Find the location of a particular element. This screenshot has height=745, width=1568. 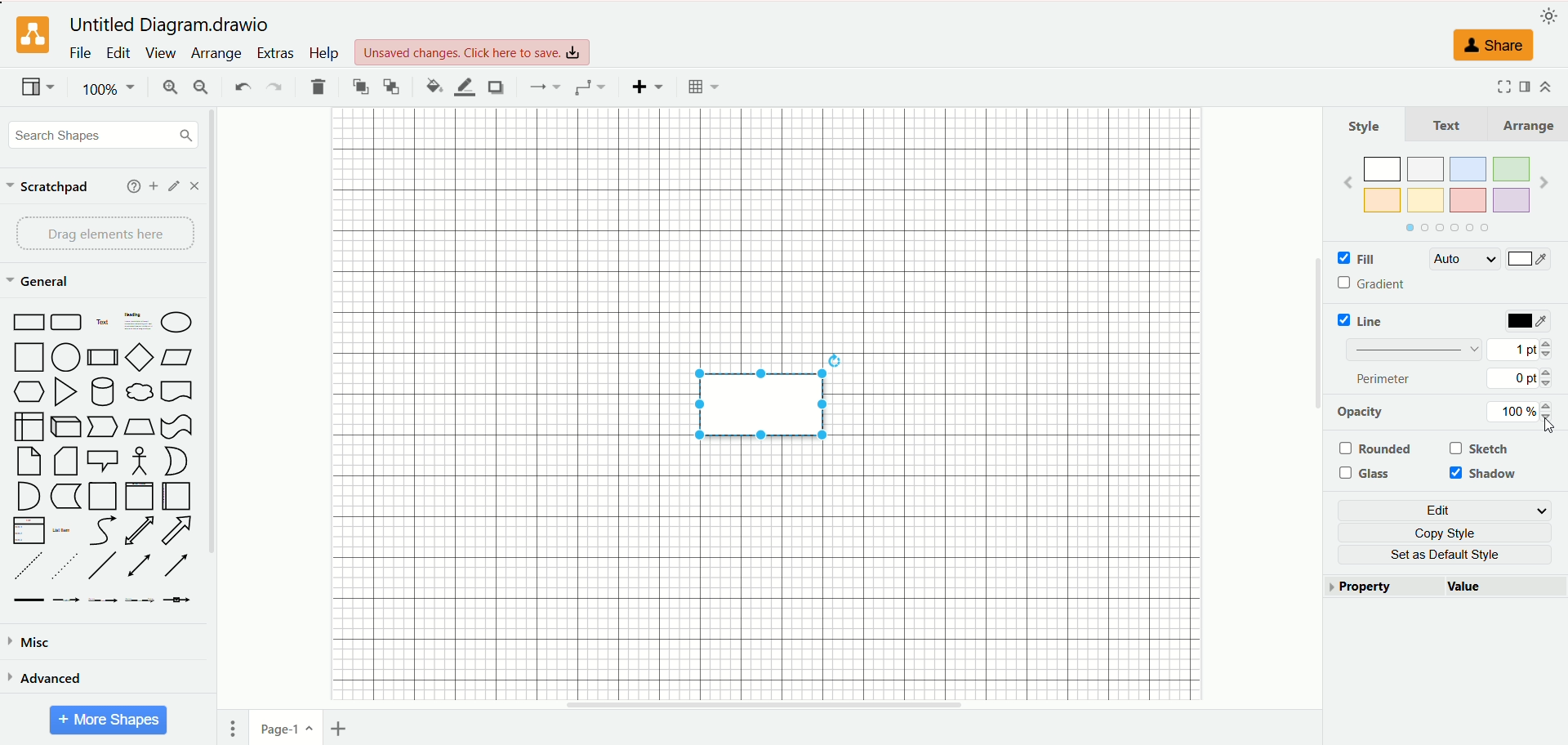

click here to save is located at coordinates (474, 52).